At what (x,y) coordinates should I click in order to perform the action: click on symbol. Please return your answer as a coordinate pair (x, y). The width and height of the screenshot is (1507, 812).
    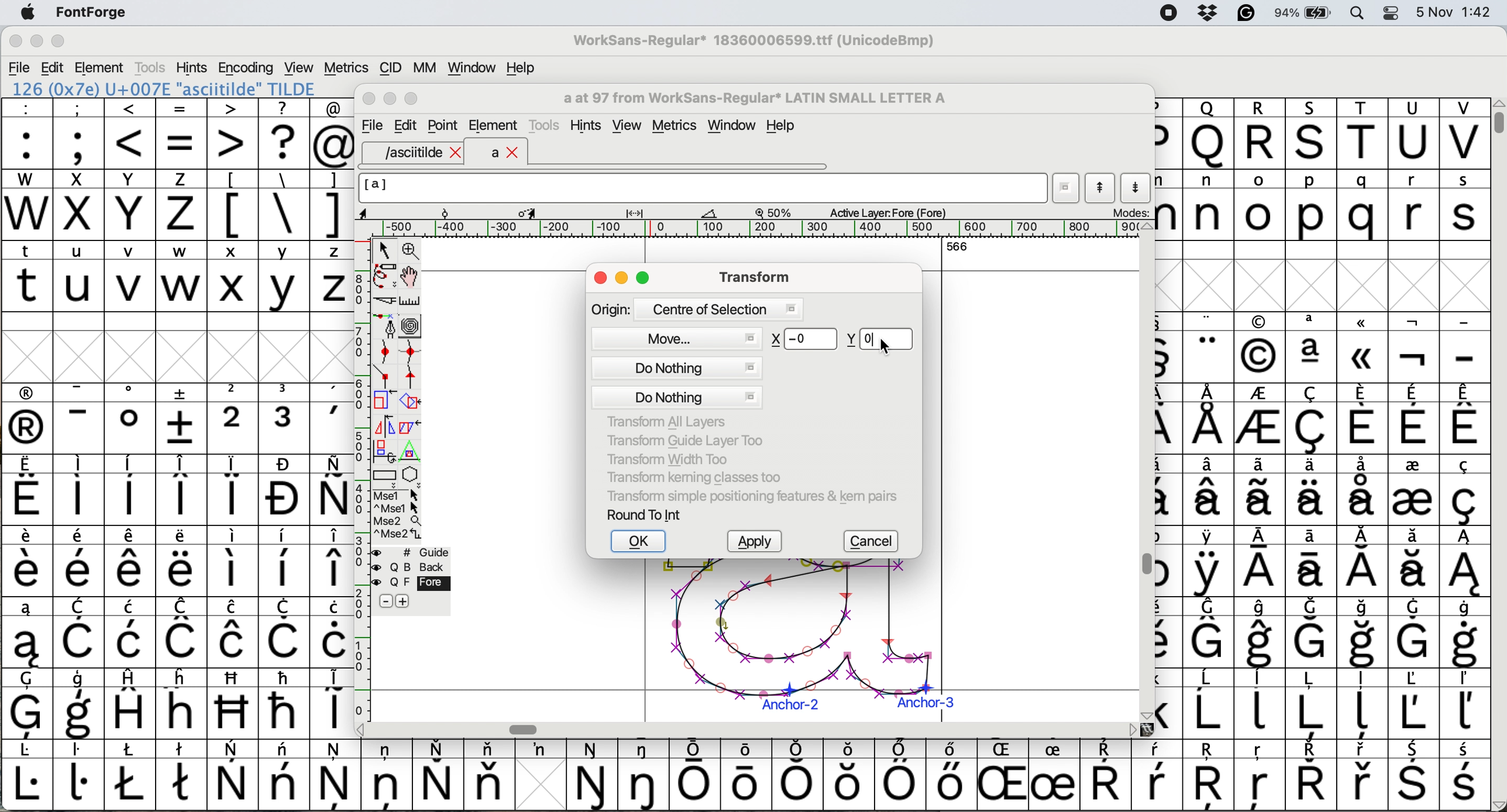
    Looking at the image, I should click on (130, 775).